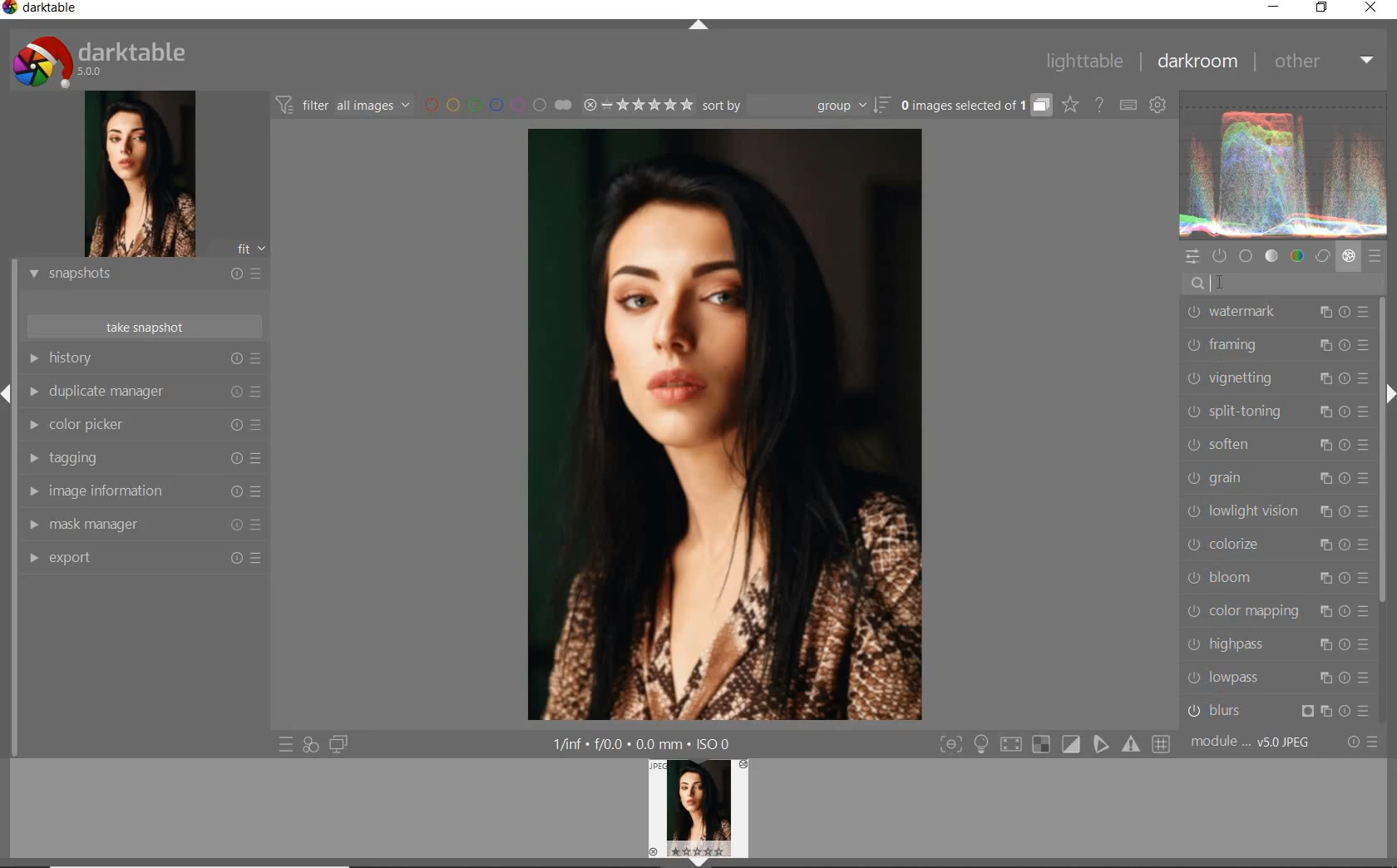 This screenshot has height=868, width=1397. I want to click on selected image, so click(725, 426).